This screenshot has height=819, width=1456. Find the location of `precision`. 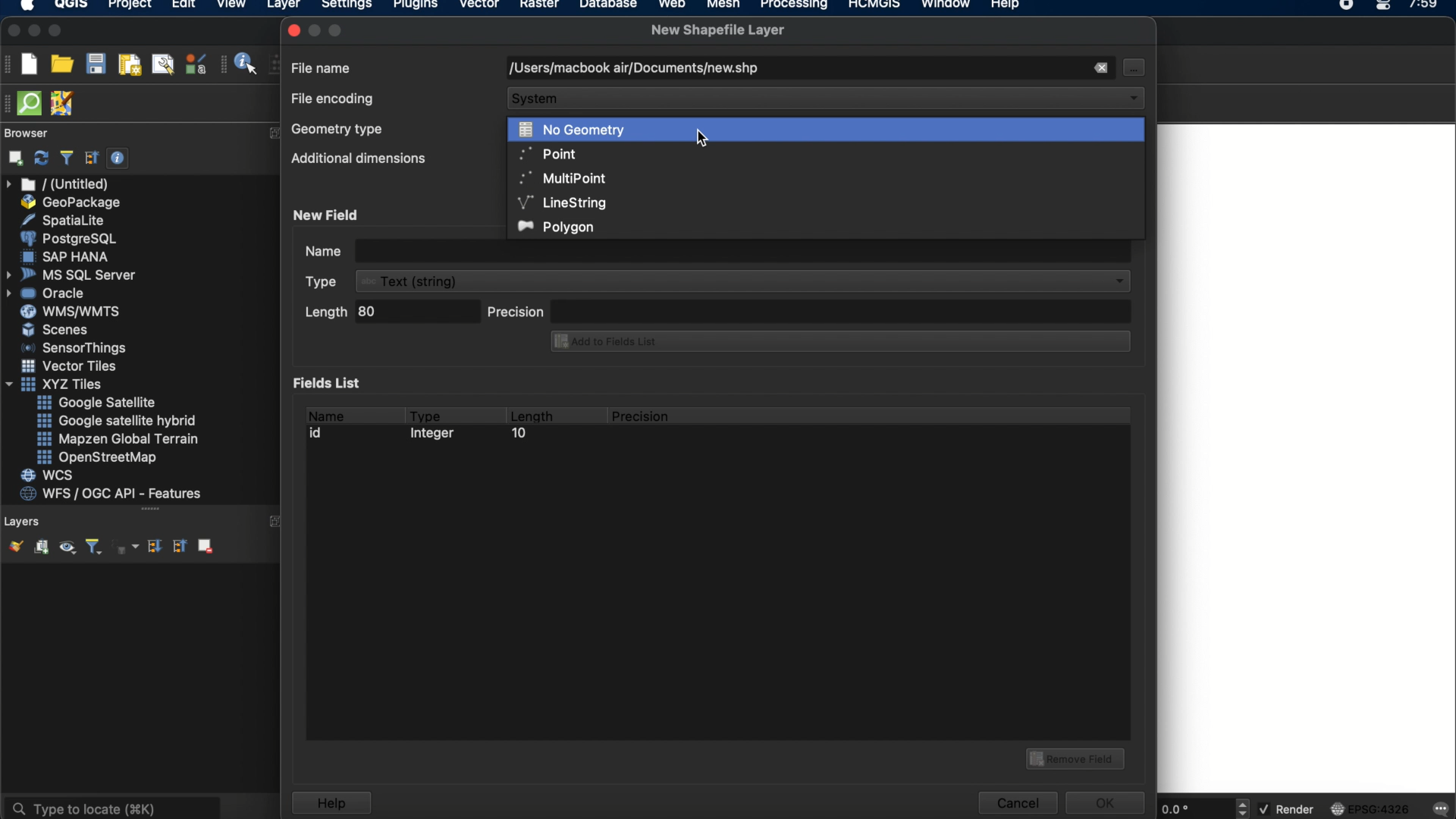

precision is located at coordinates (642, 416).